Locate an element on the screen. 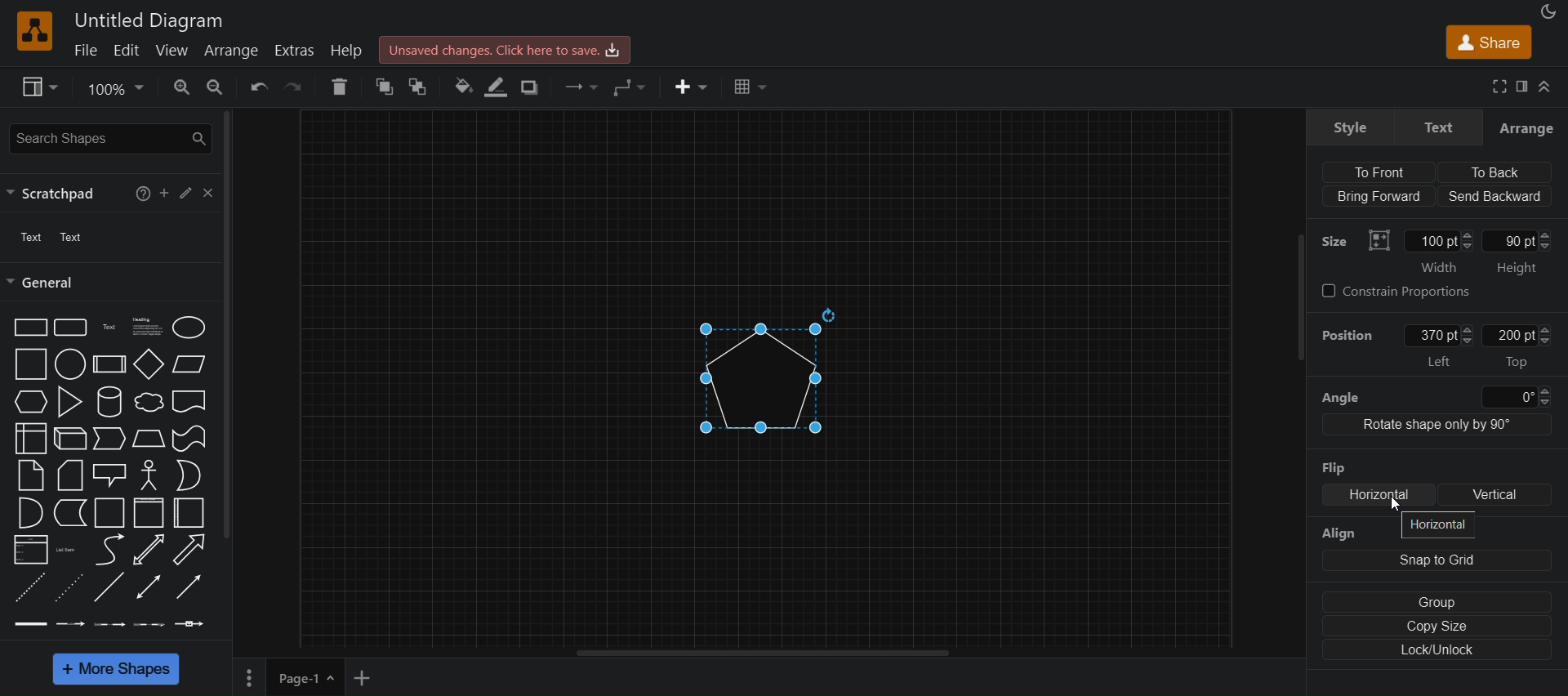 Image resolution: width=1568 pixels, height=696 pixels. group is located at coordinates (1437, 602).